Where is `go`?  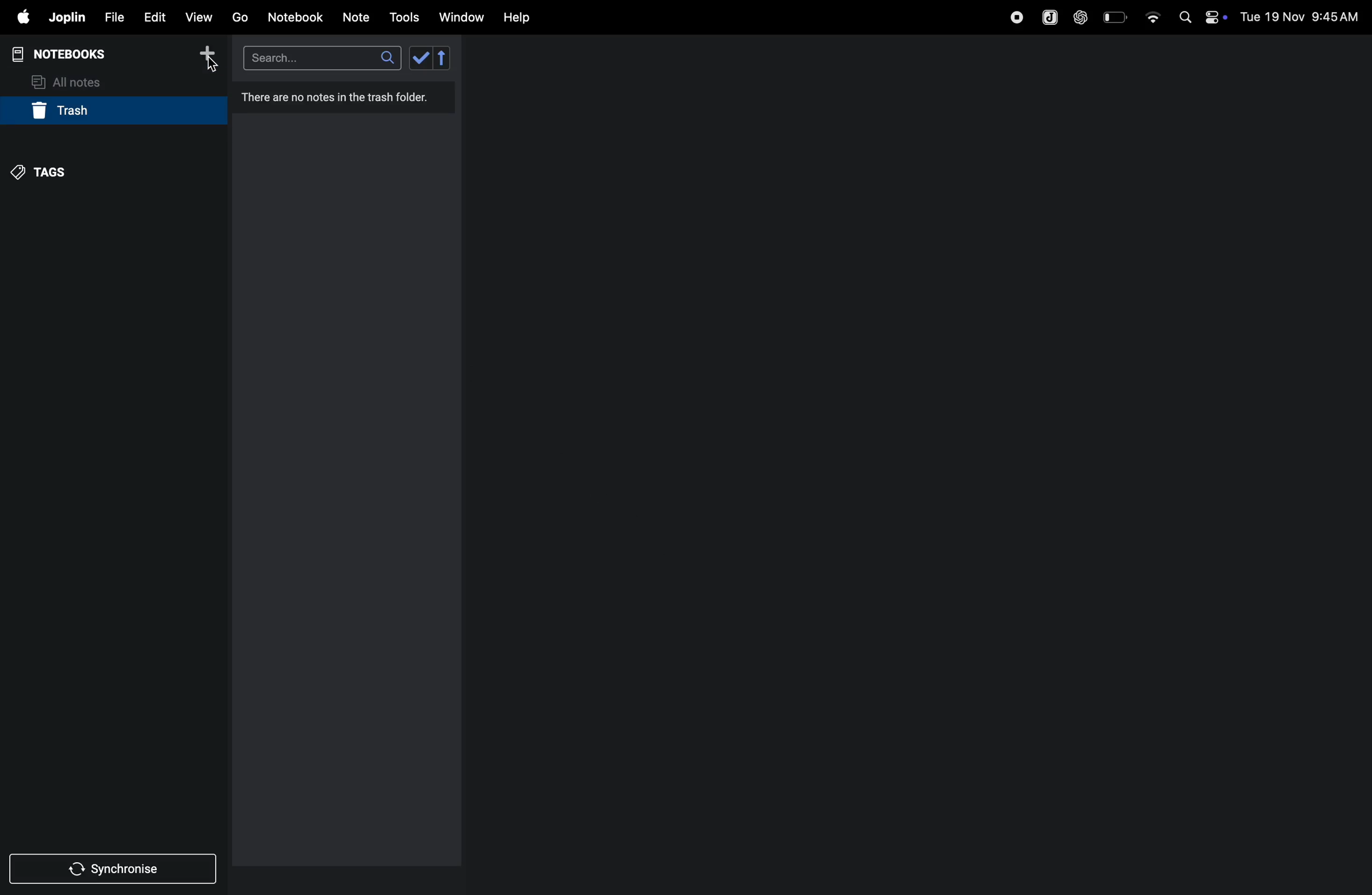 go is located at coordinates (239, 17).